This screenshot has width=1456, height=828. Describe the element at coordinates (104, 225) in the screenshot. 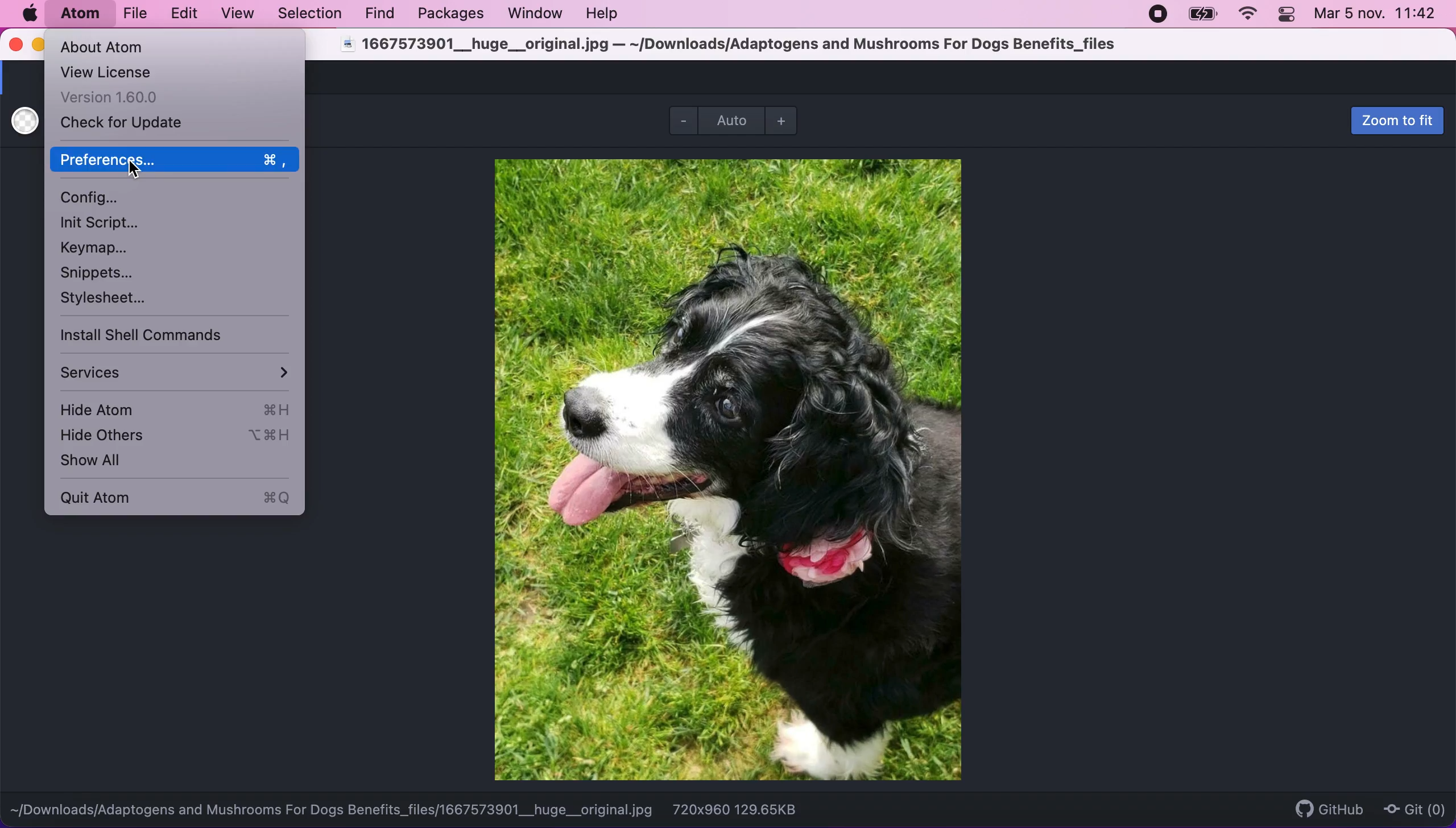

I see `init script` at that location.